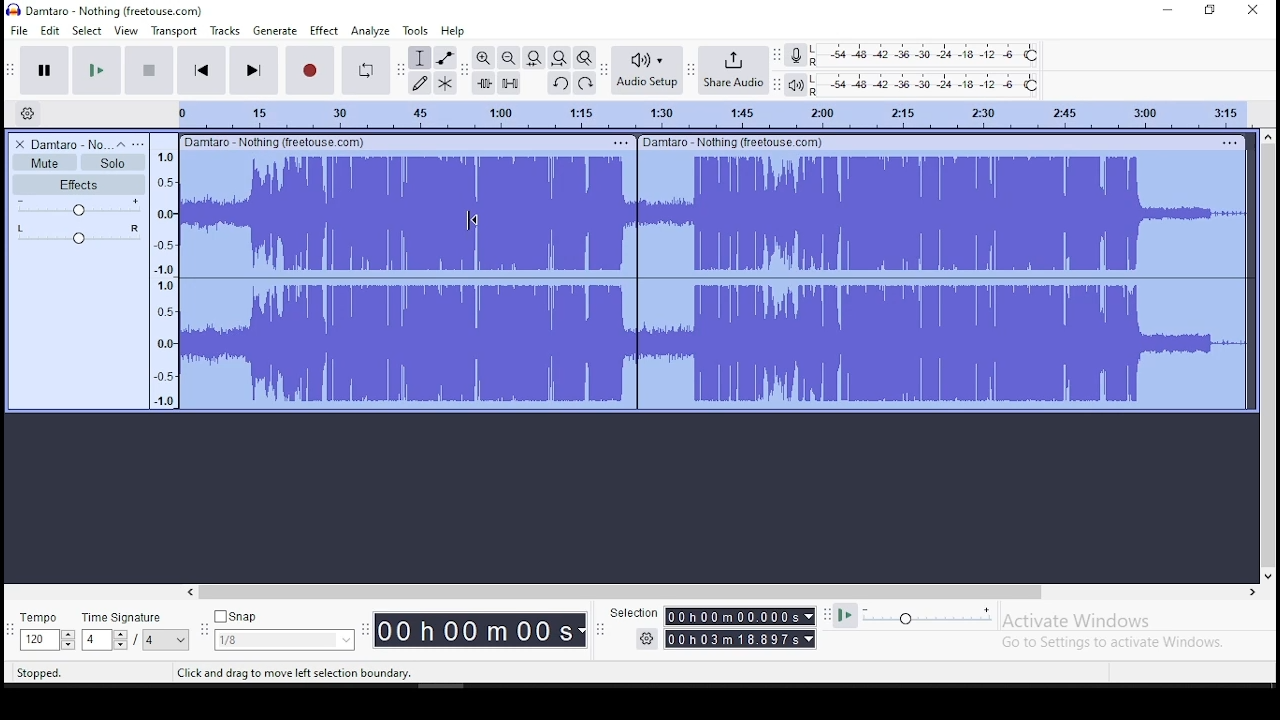  What do you see at coordinates (106, 640) in the screenshot?
I see `toggle buttons` at bounding box center [106, 640].